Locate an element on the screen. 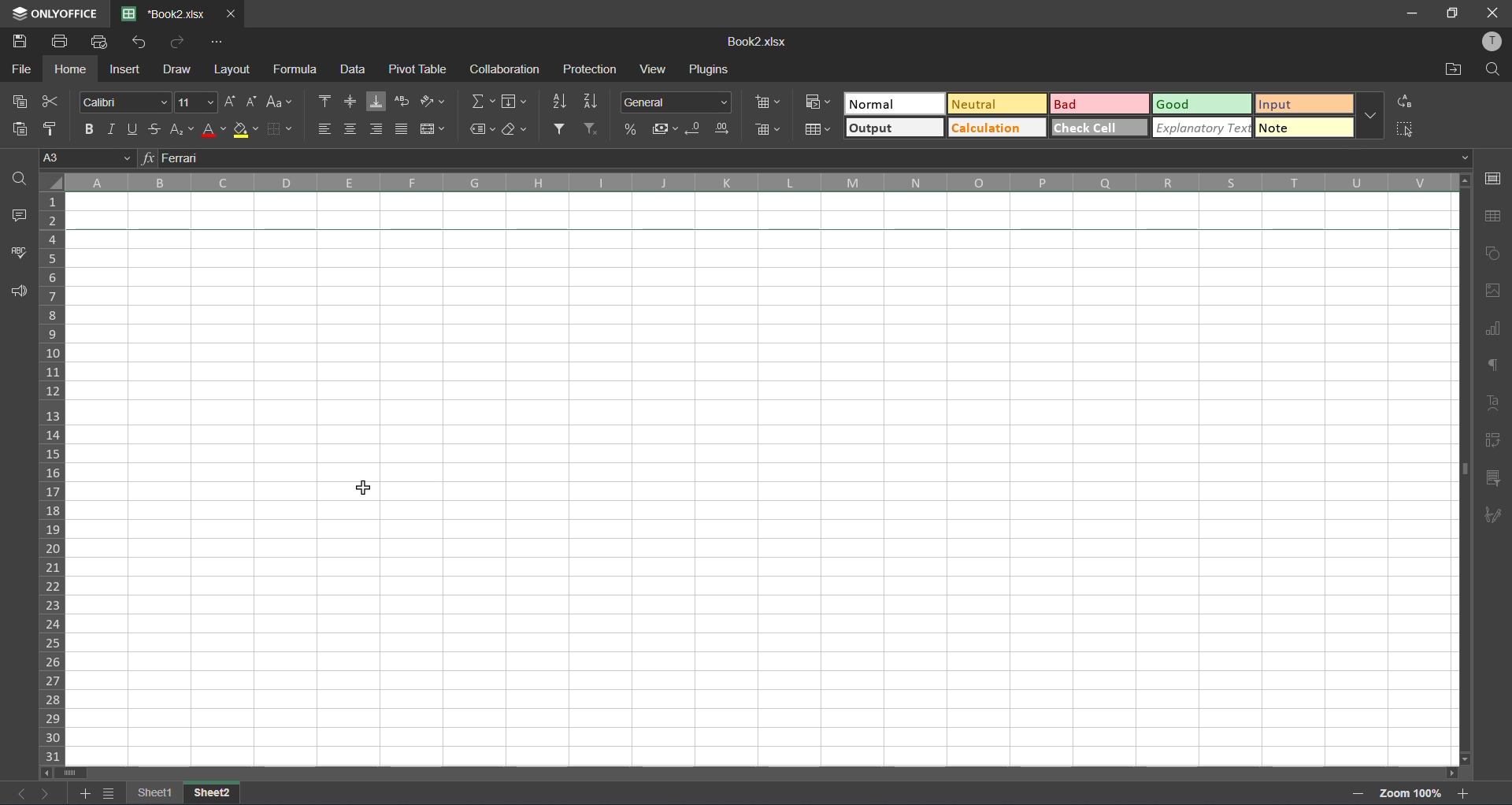 This screenshot has width=1512, height=805. sub/superscript is located at coordinates (182, 128).